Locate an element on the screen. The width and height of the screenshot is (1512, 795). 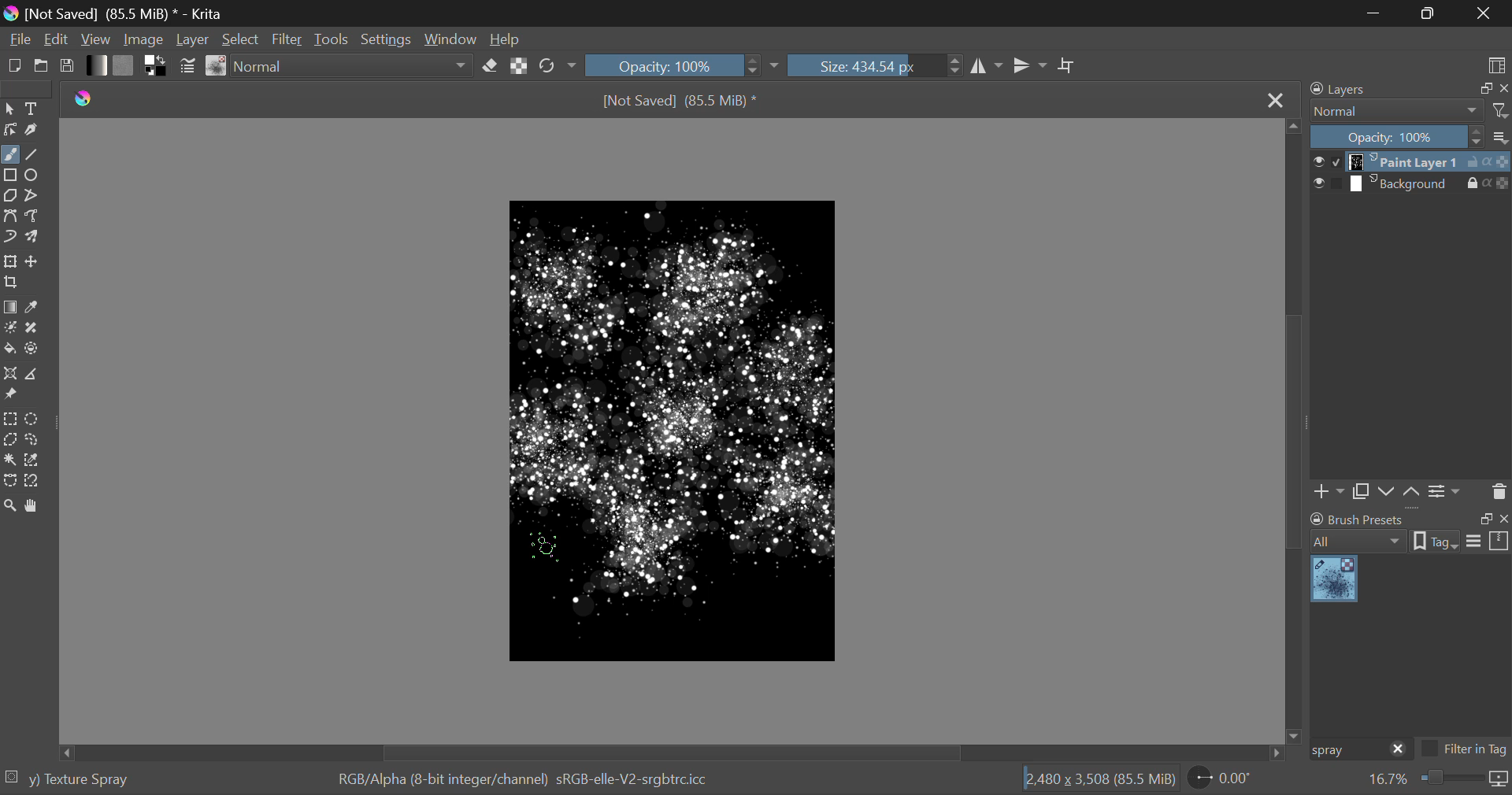
Eyedropper is located at coordinates (34, 309).